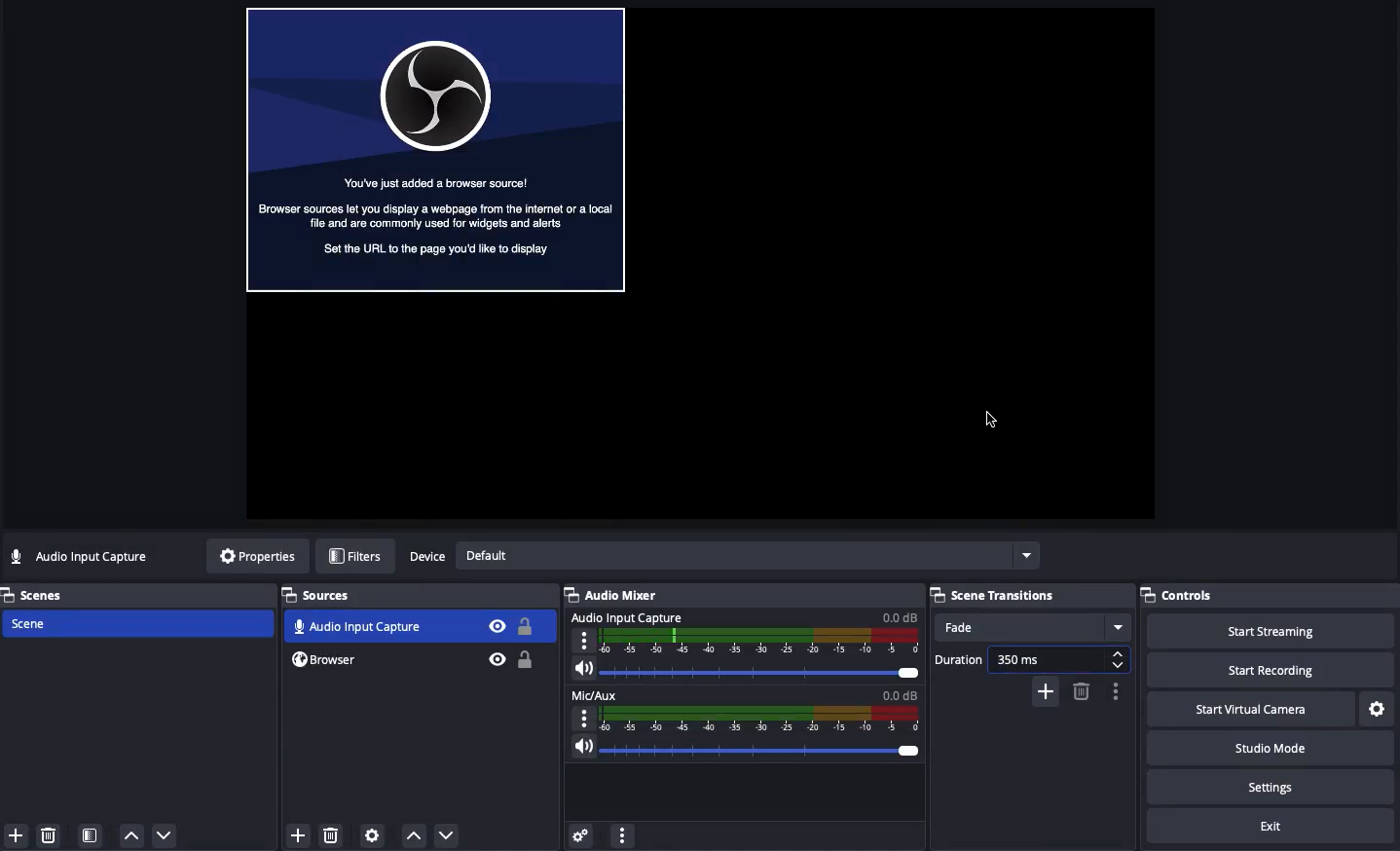 This screenshot has height=851, width=1400. Describe the element at coordinates (46, 595) in the screenshot. I see `Scenes` at that location.